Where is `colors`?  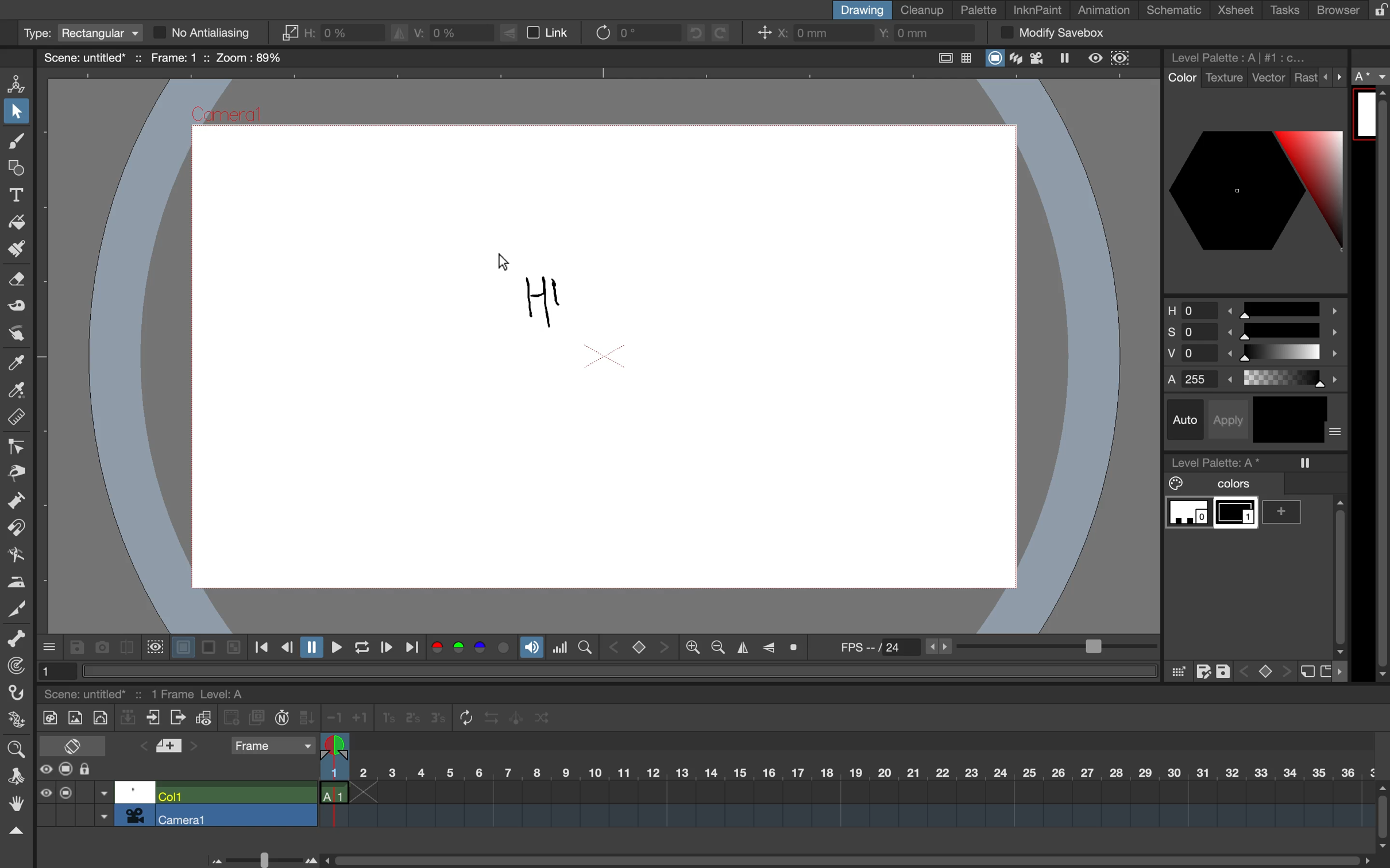 colors is located at coordinates (1217, 484).